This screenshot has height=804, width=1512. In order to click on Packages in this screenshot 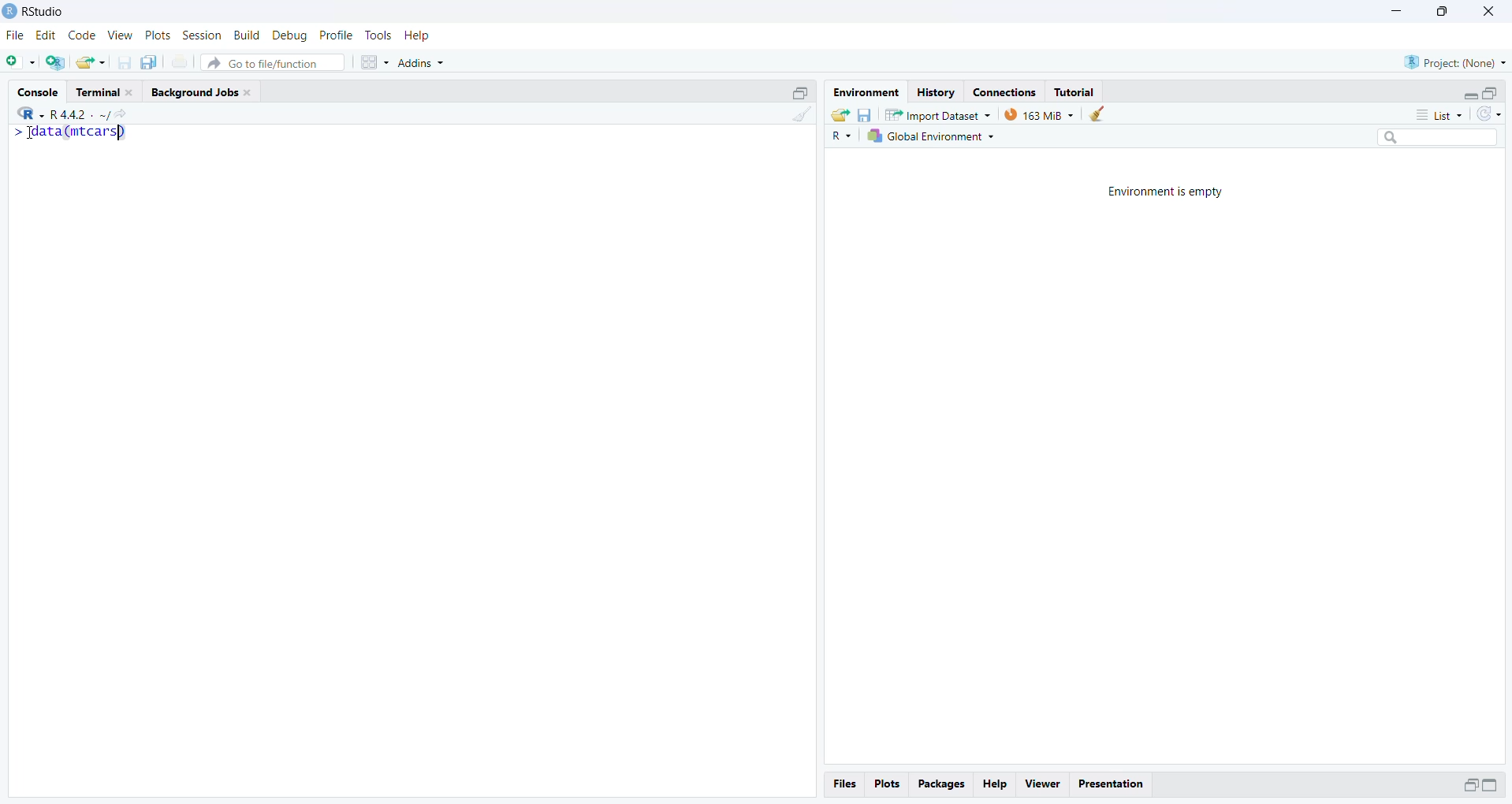, I will do `click(944, 784)`.